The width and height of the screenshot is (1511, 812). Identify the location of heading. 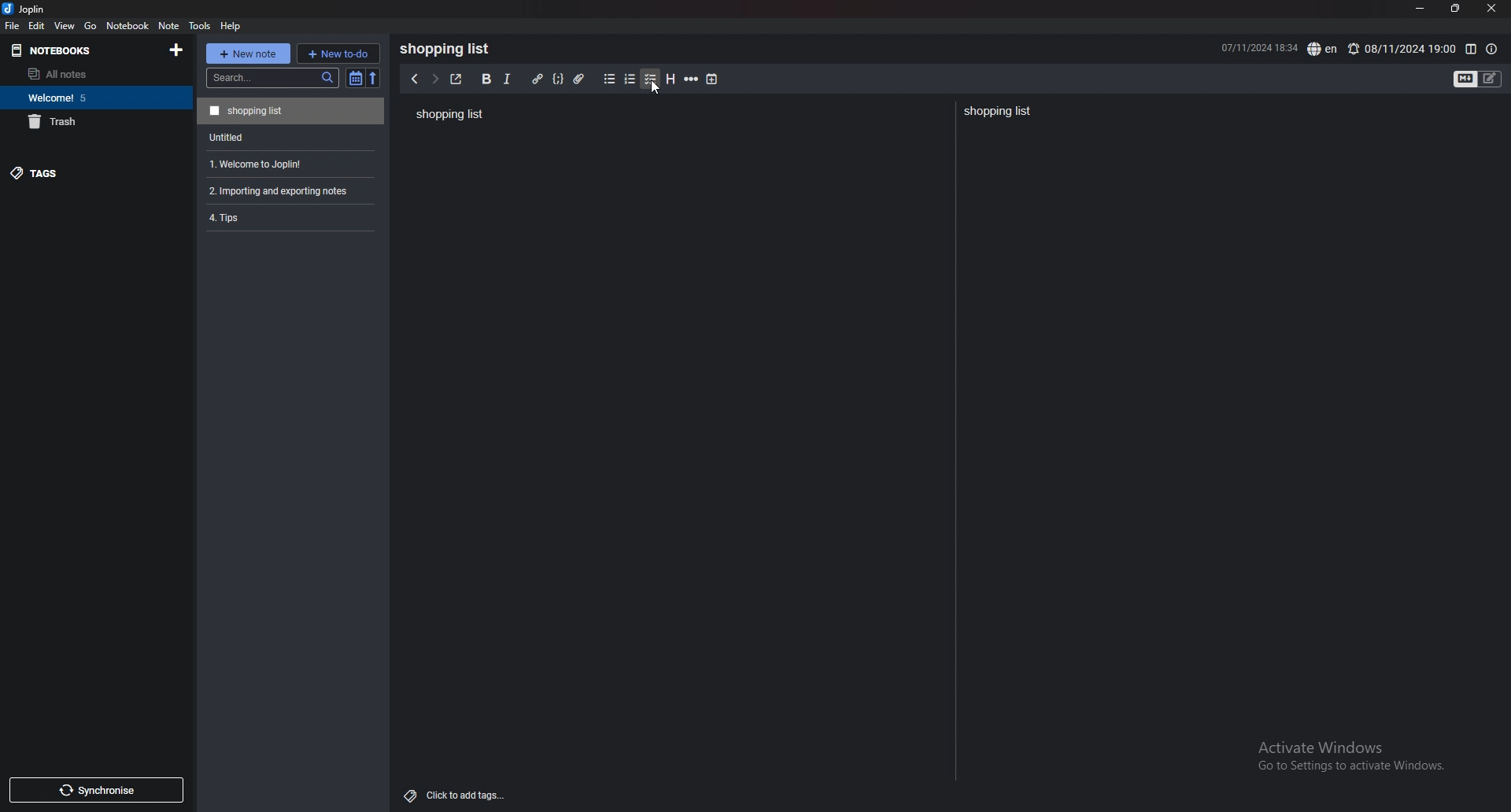
(671, 79).